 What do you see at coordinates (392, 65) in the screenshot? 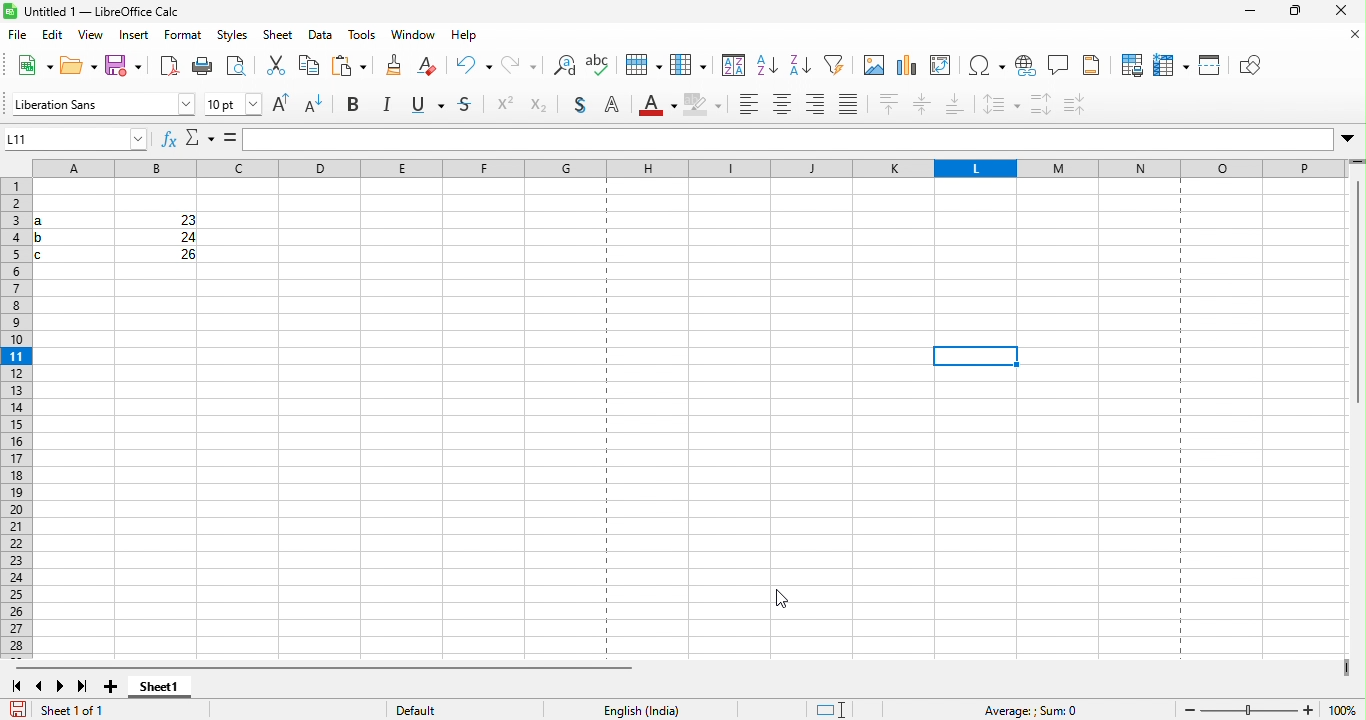
I see `clear direct formatting` at bounding box center [392, 65].